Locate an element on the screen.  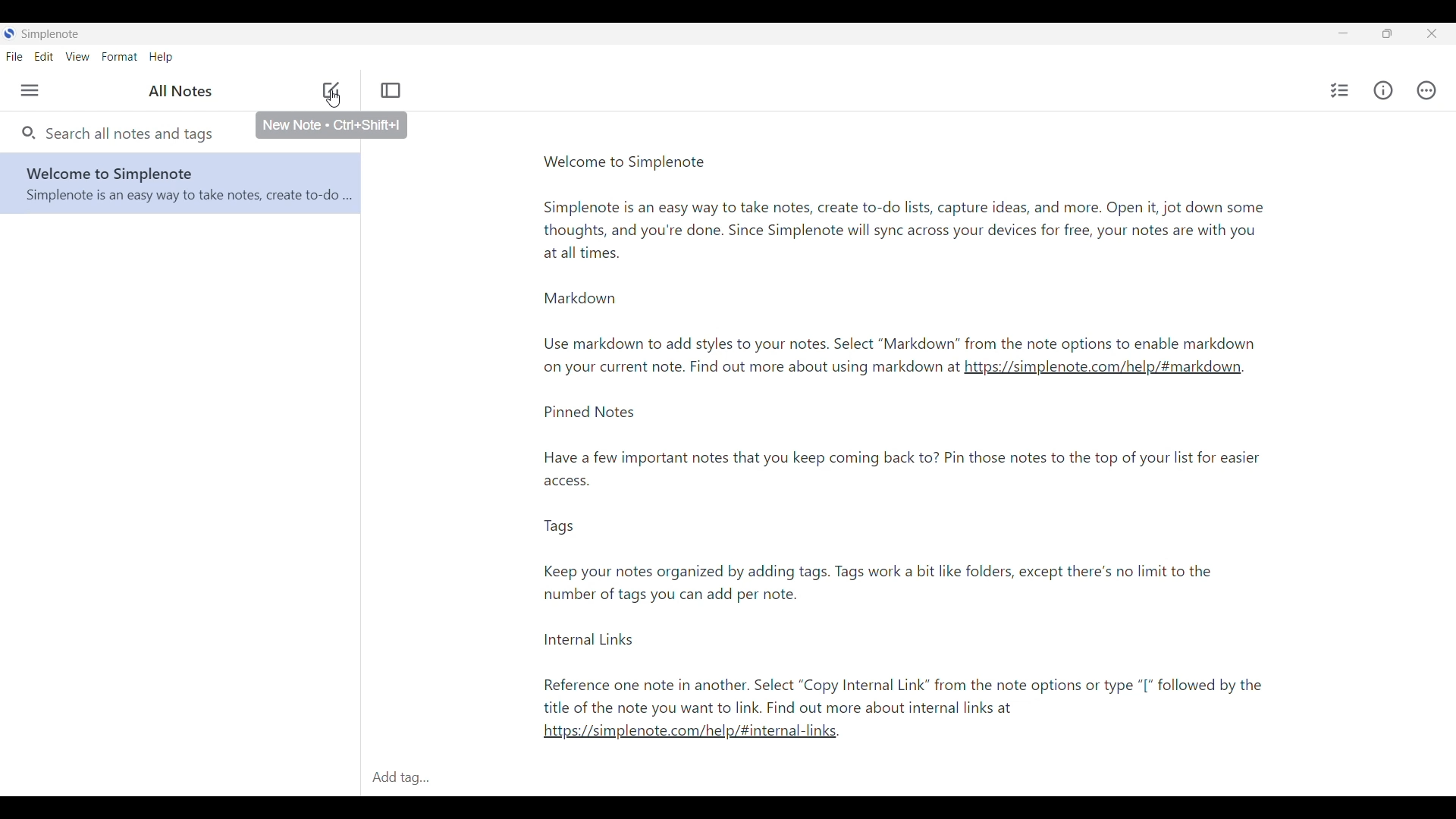
Link2 is located at coordinates (690, 732).